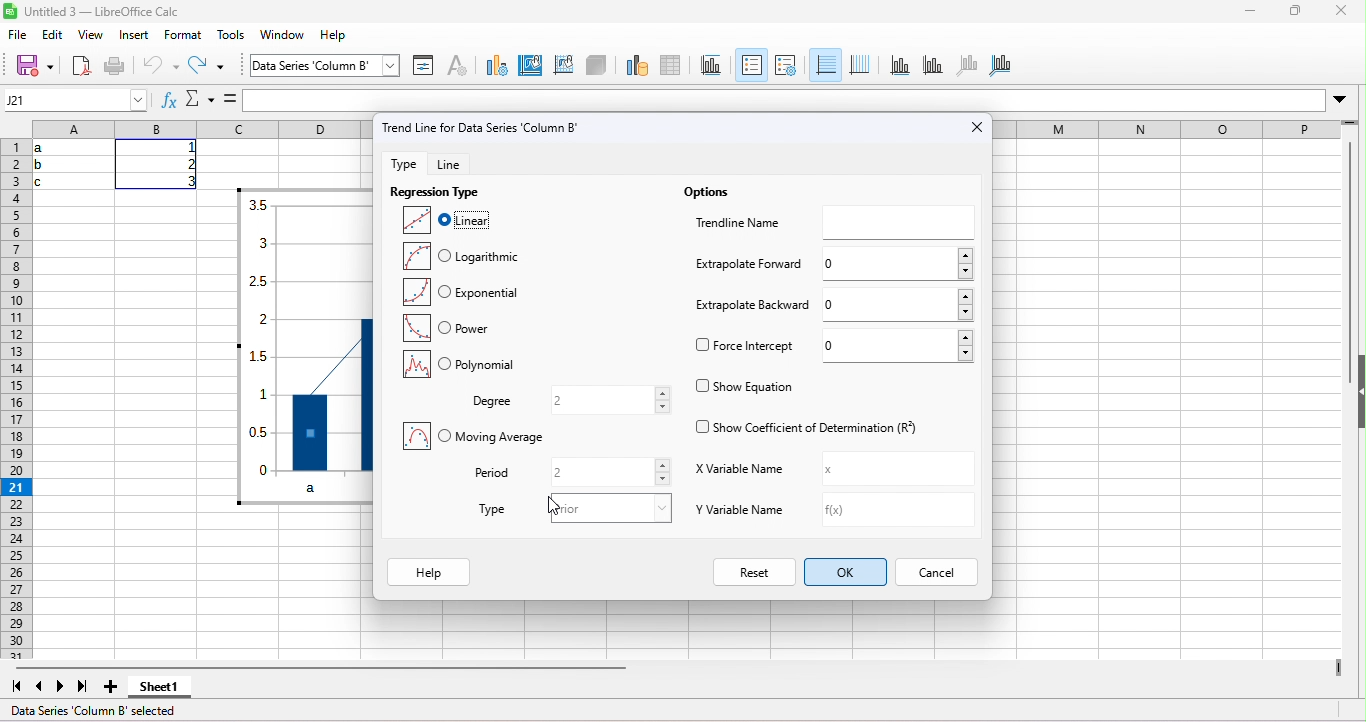 The width and height of the screenshot is (1366, 722). Describe the element at coordinates (1170, 128) in the screenshot. I see `column headings` at that location.